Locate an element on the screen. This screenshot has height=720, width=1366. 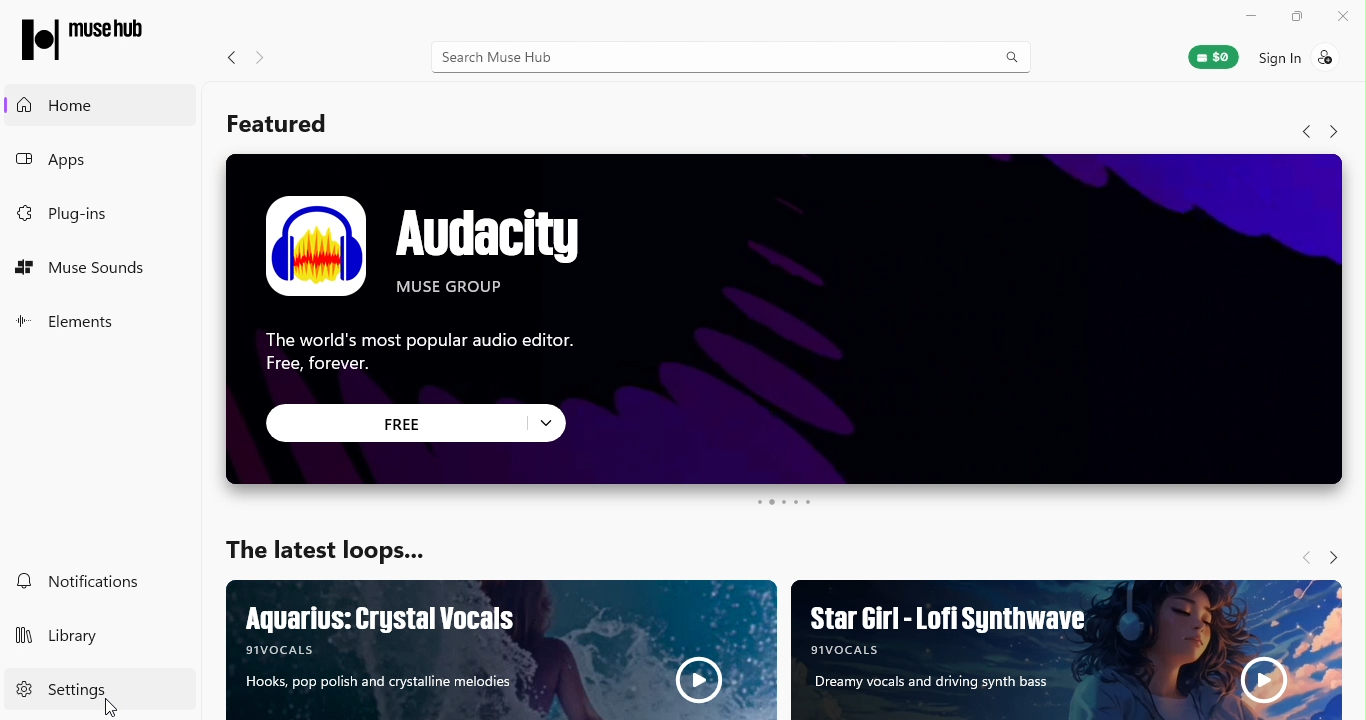
Settings is located at coordinates (66, 688).